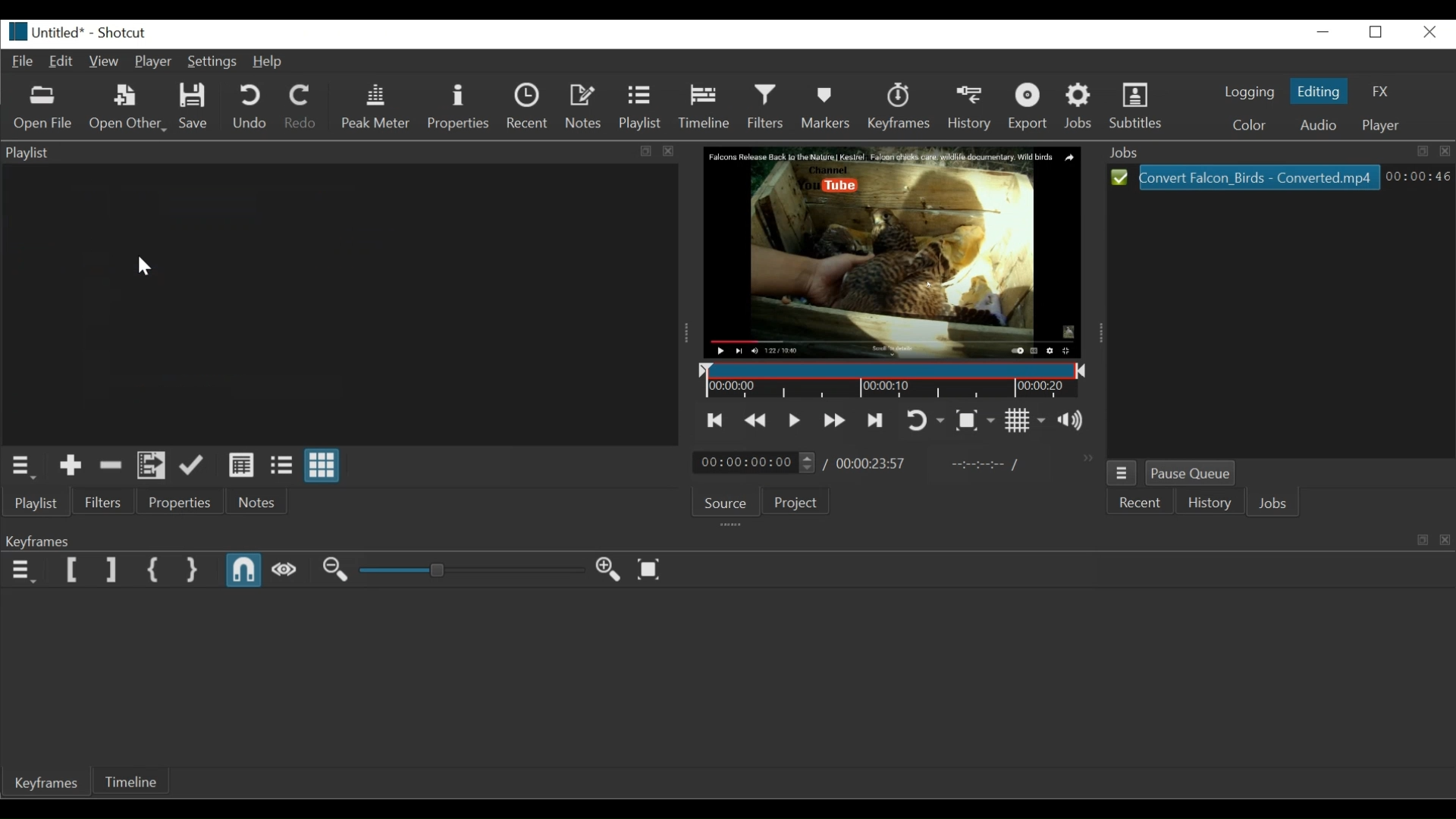 The height and width of the screenshot is (819, 1456). What do you see at coordinates (152, 63) in the screenshot?
I see `Player` at bounding box center [152, 63].